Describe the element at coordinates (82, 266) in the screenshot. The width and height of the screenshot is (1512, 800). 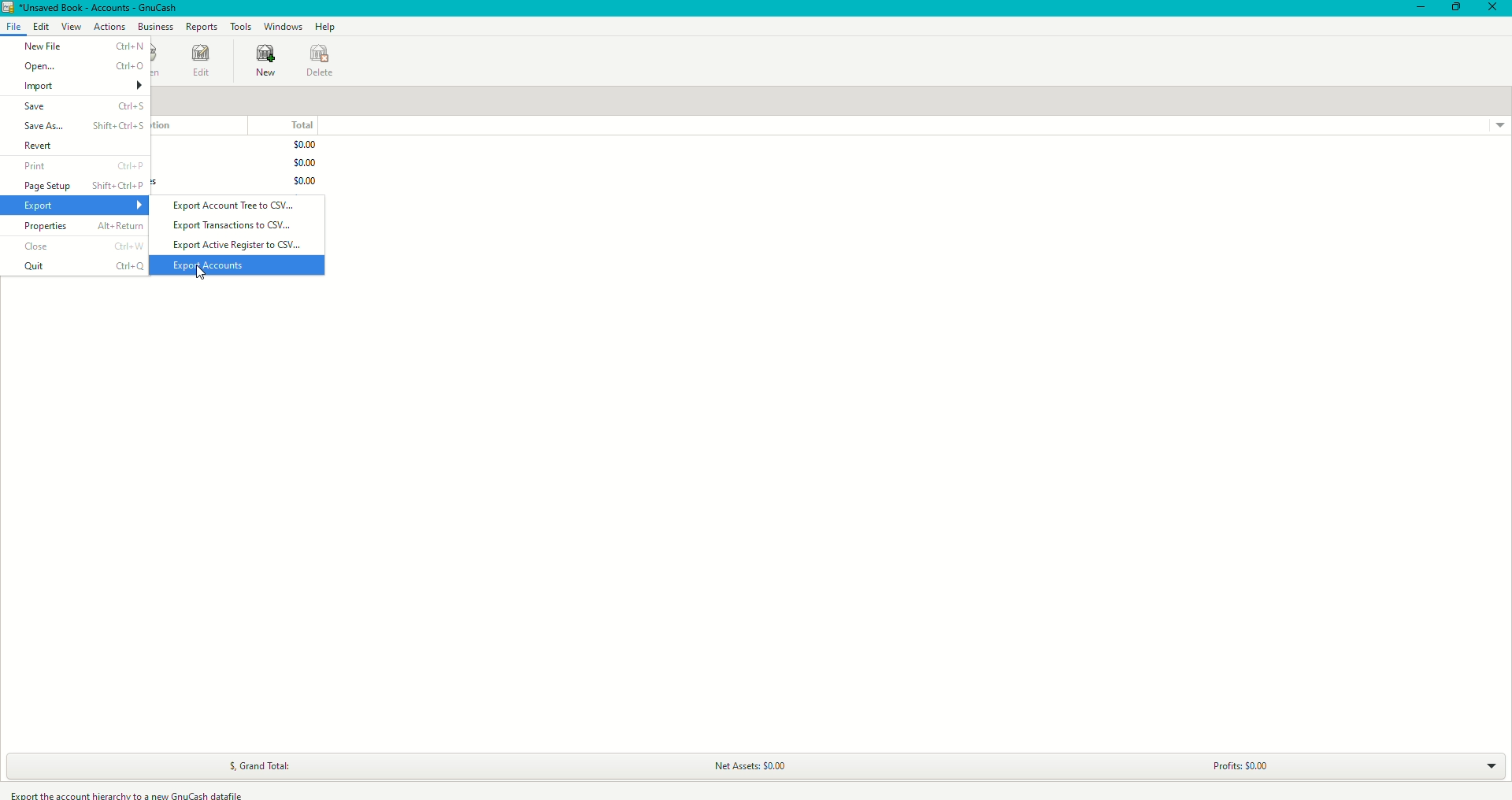
I see `Quit` at that location.